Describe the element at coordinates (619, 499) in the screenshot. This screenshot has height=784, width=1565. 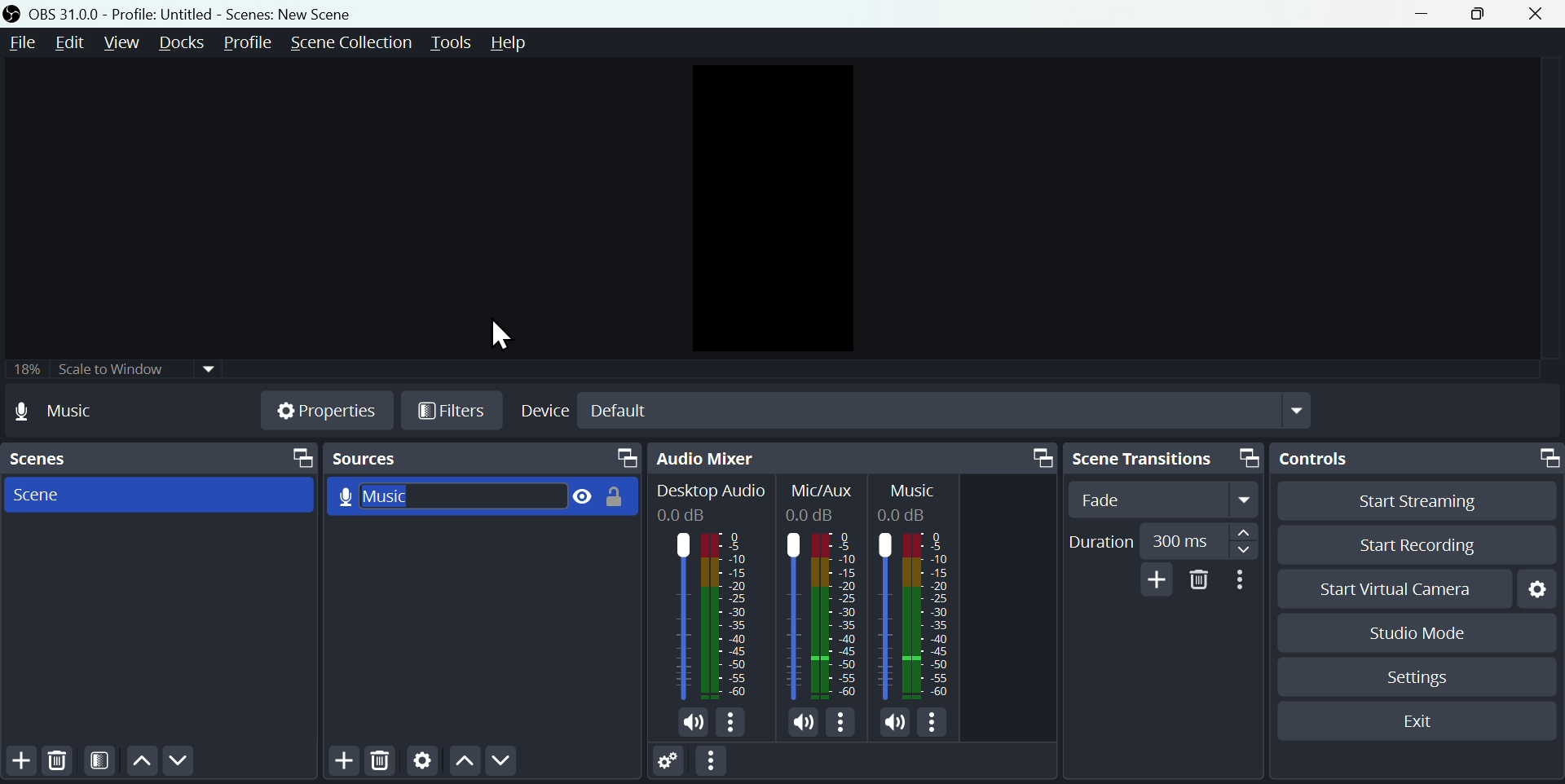
I see `Unlock` at that location.